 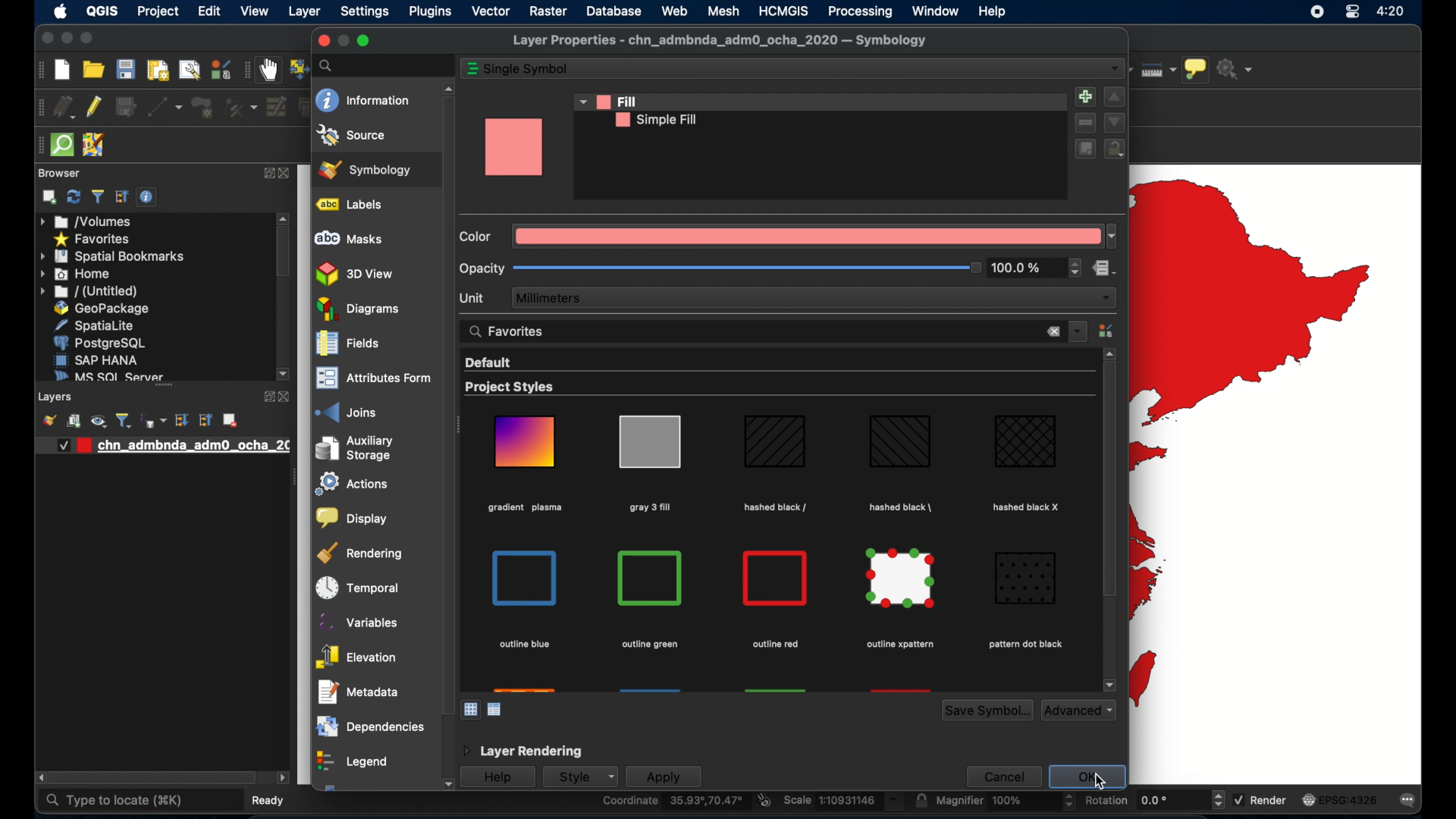 What do you see at coordinates (255, 13) in the screenshot?
I see `view` at bounding box center [255, 13].